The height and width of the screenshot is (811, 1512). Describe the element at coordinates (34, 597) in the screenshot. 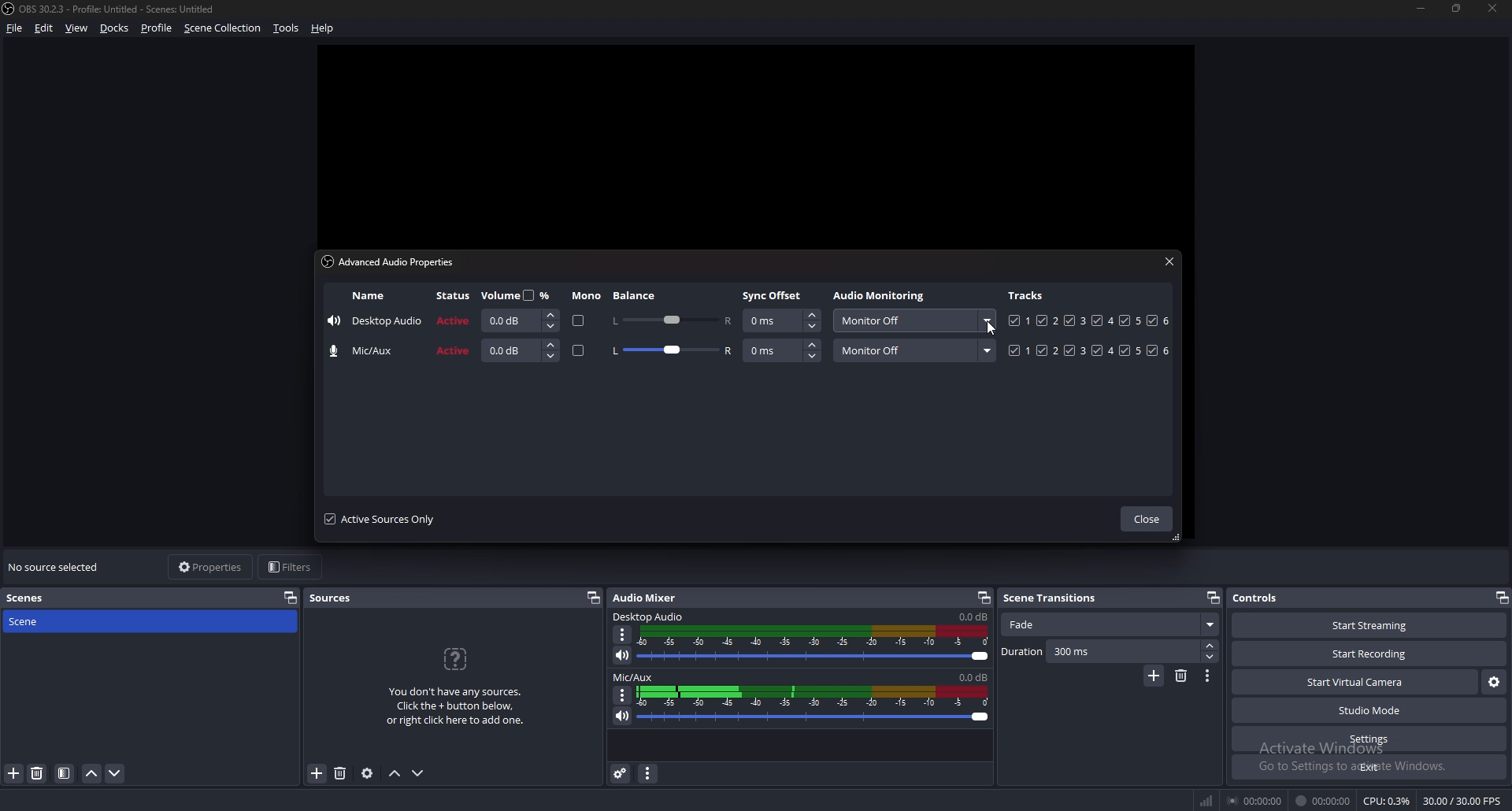

I see `scenes` at that location.